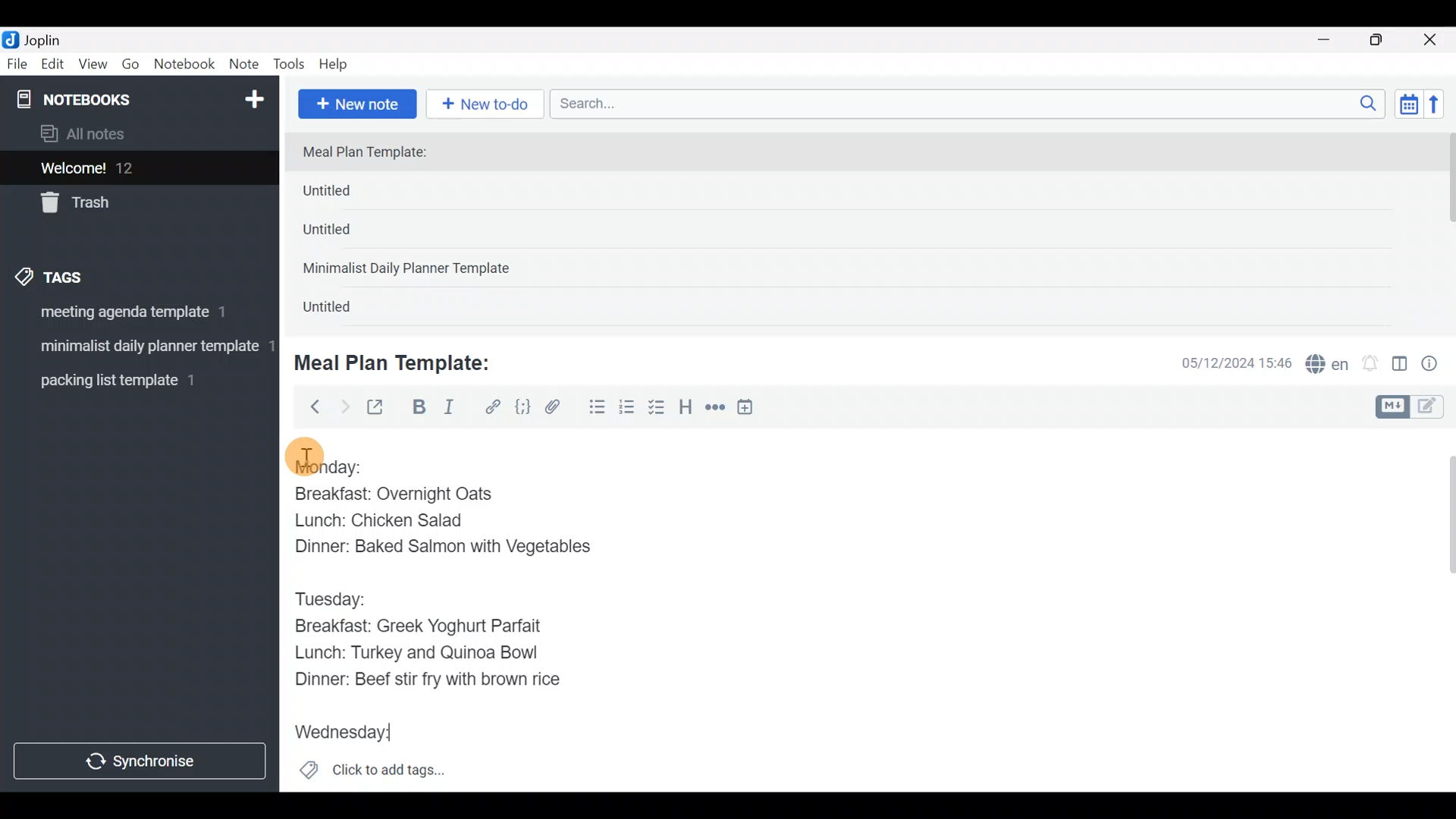 The width and height of the screenshot is (1456, 819). I want to click on Meal Plan Template:, so click(374, 153).